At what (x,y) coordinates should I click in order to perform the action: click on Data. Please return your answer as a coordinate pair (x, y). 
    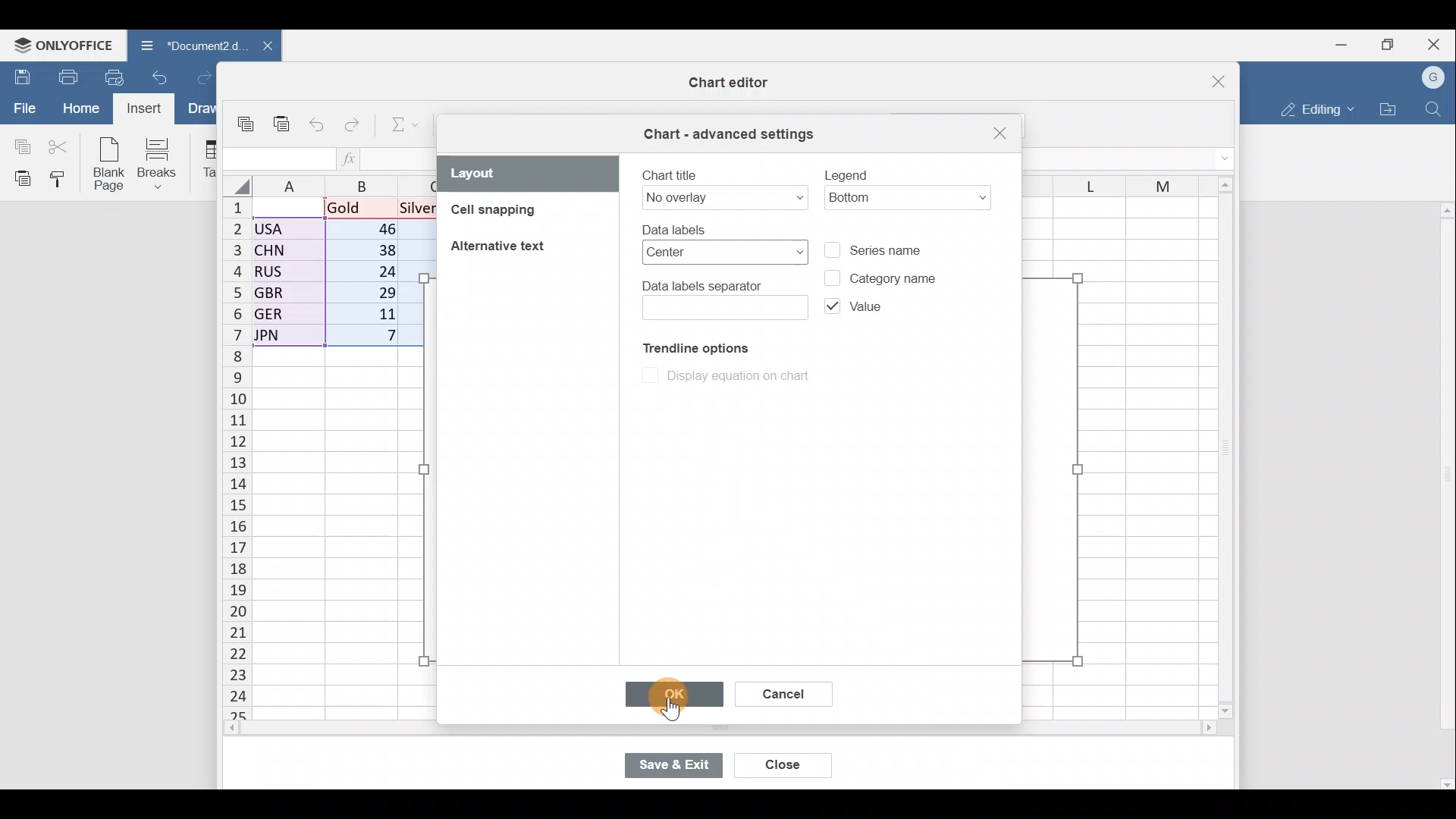
    Looking at the image, I should click on (337, 272).